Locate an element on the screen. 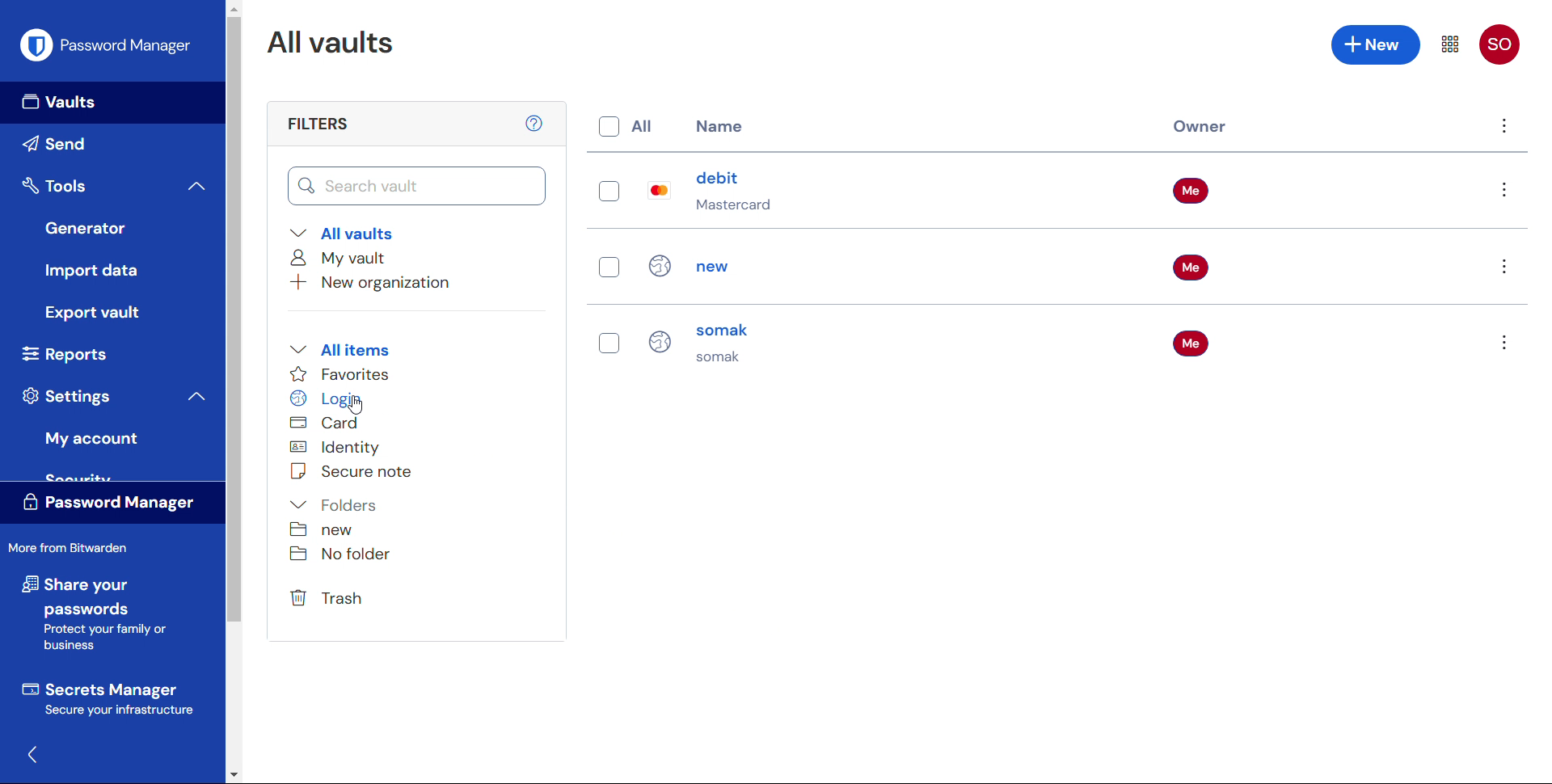 This screenshot has height=784, width=1552. Scroll down  is located at coordinates (236, 773).